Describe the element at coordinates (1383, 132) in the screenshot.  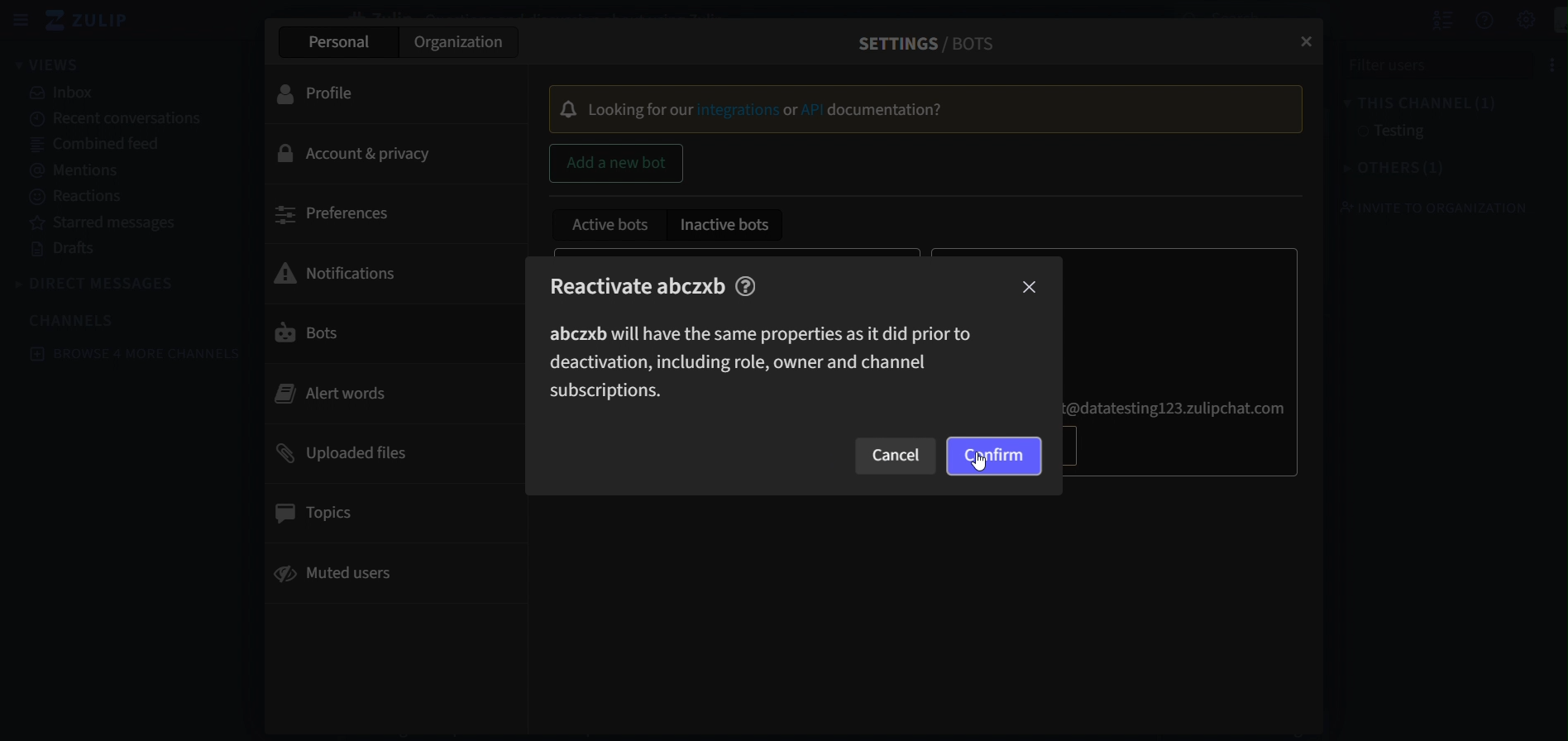
I see `testing` at that location.